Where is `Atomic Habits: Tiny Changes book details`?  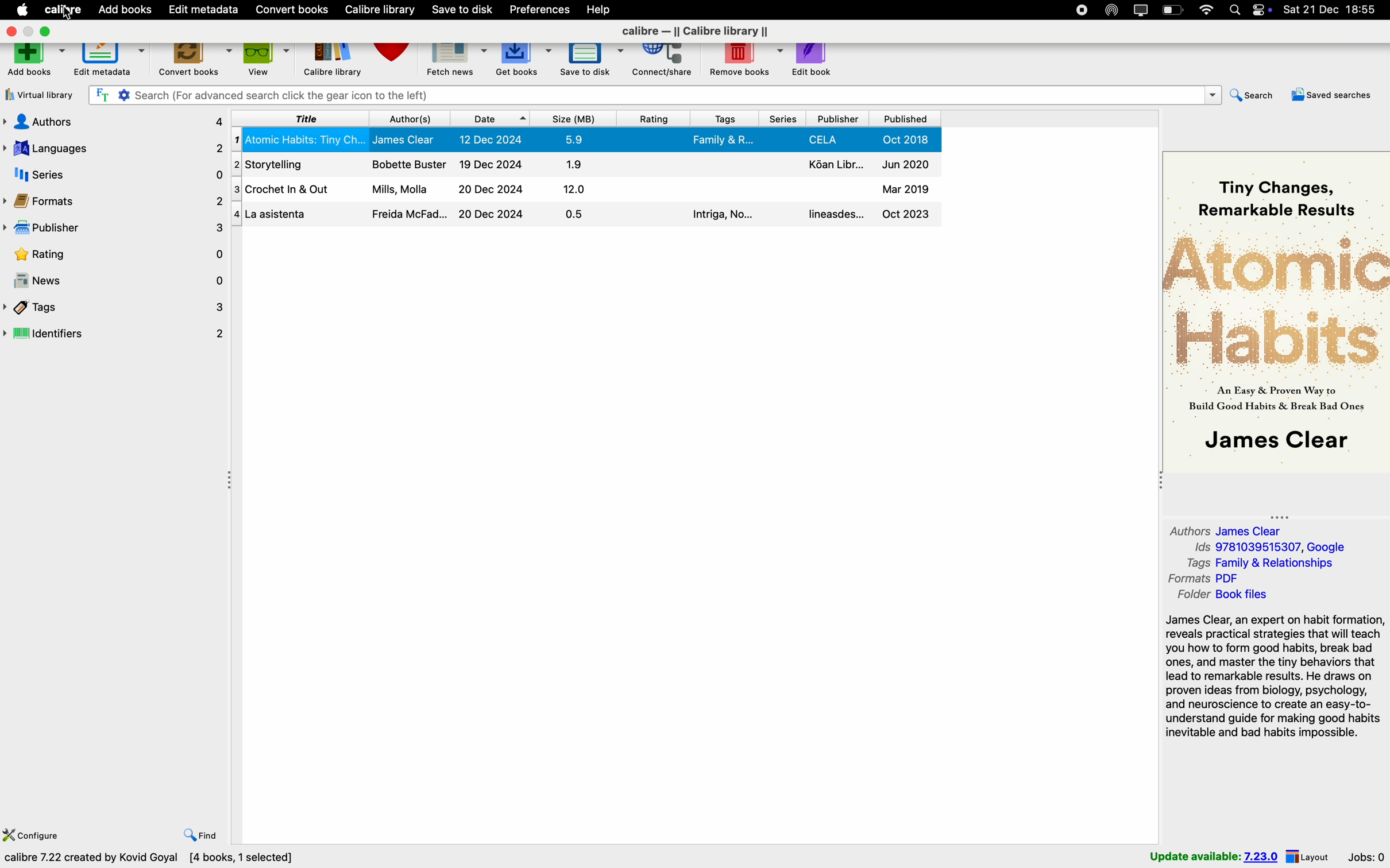
Atomic Habits: Tiny Changes book details is located at coordinates (587, 140).